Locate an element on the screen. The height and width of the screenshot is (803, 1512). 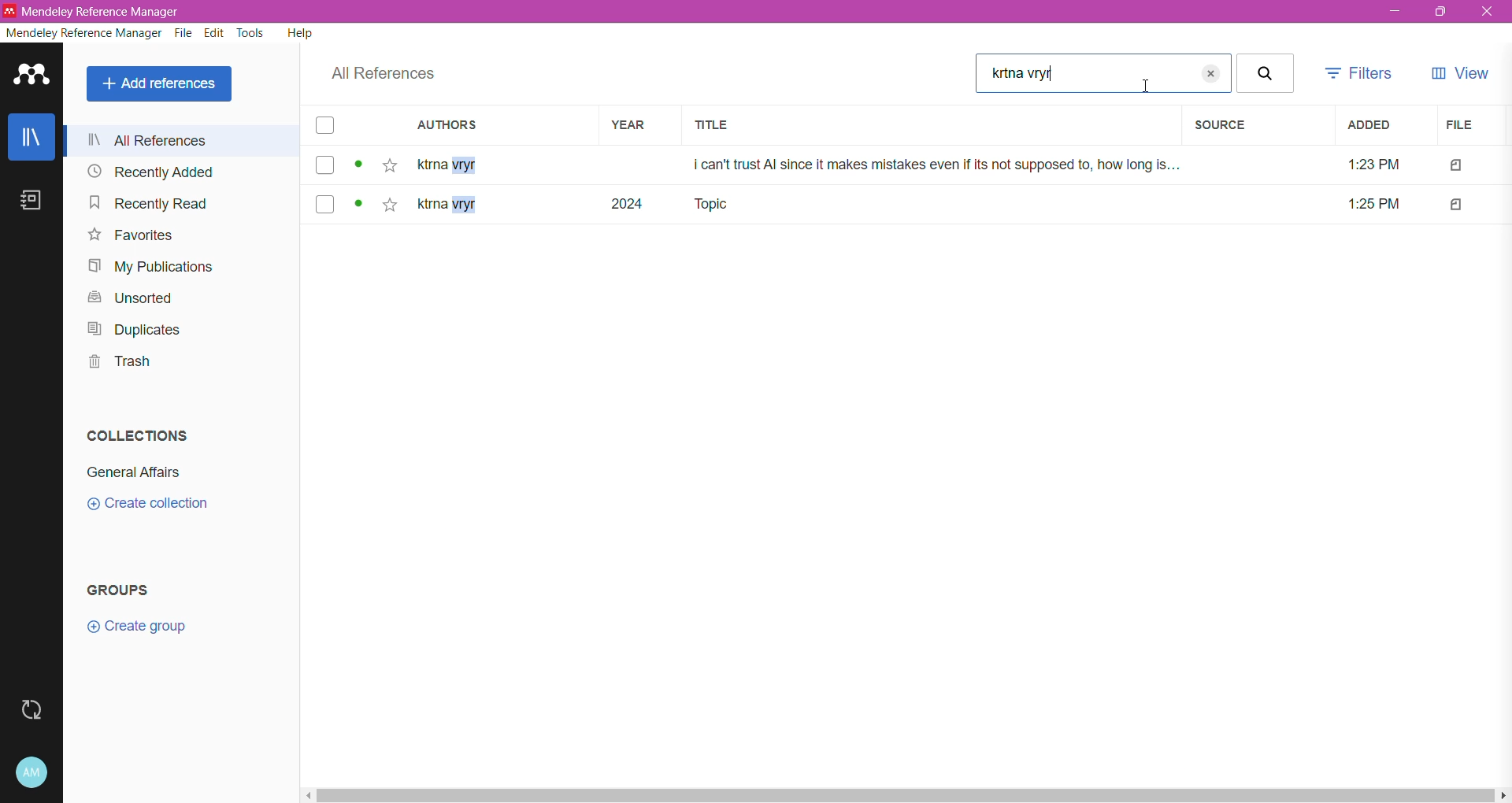
Edit is located at coordinates (213, 34).